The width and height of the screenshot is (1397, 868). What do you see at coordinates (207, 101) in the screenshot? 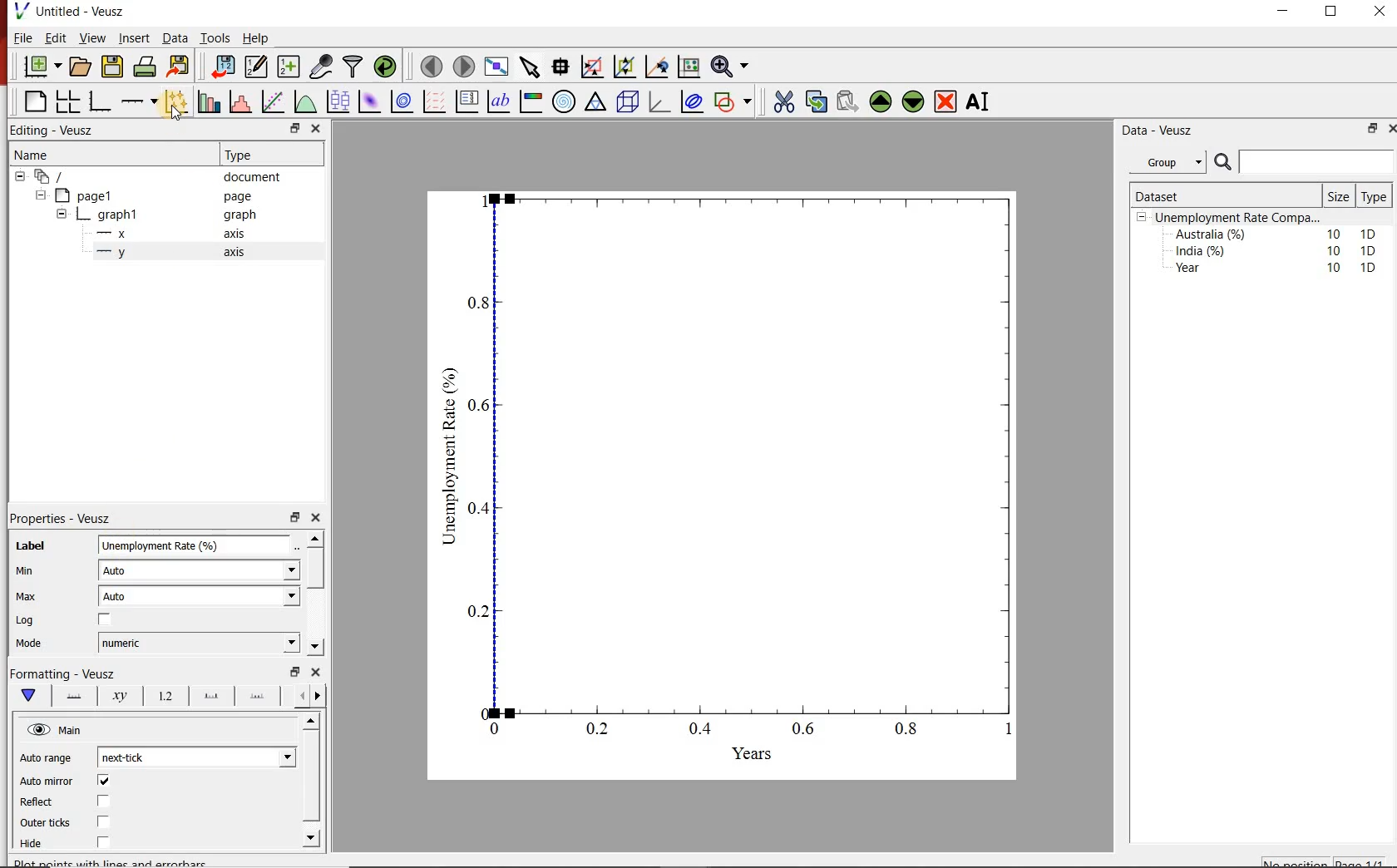
I see `bar graphs` at bounding box center [207, 101].